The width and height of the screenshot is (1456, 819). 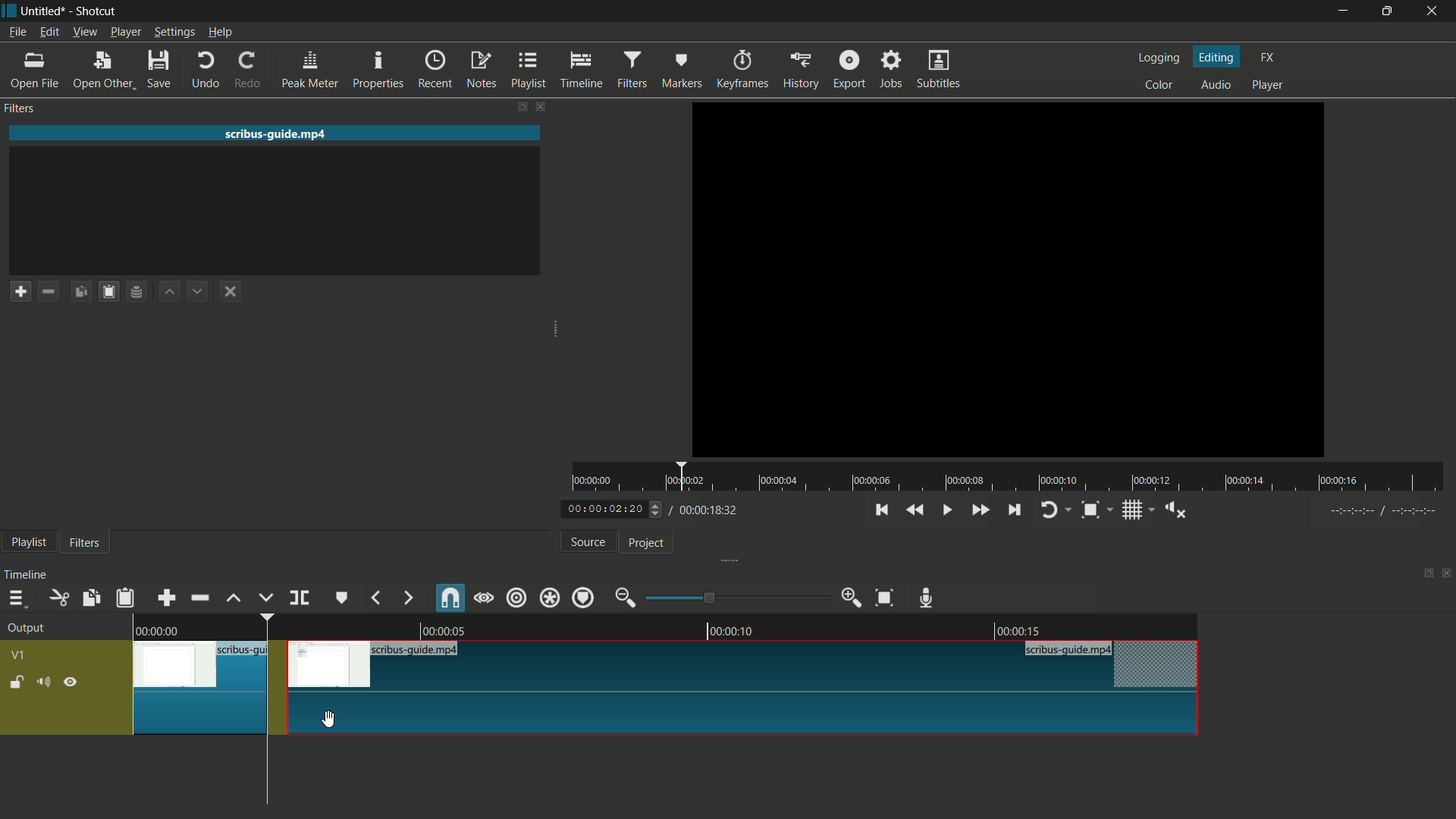 I want to click on scrub while dragging, so click(x=483, y=597).